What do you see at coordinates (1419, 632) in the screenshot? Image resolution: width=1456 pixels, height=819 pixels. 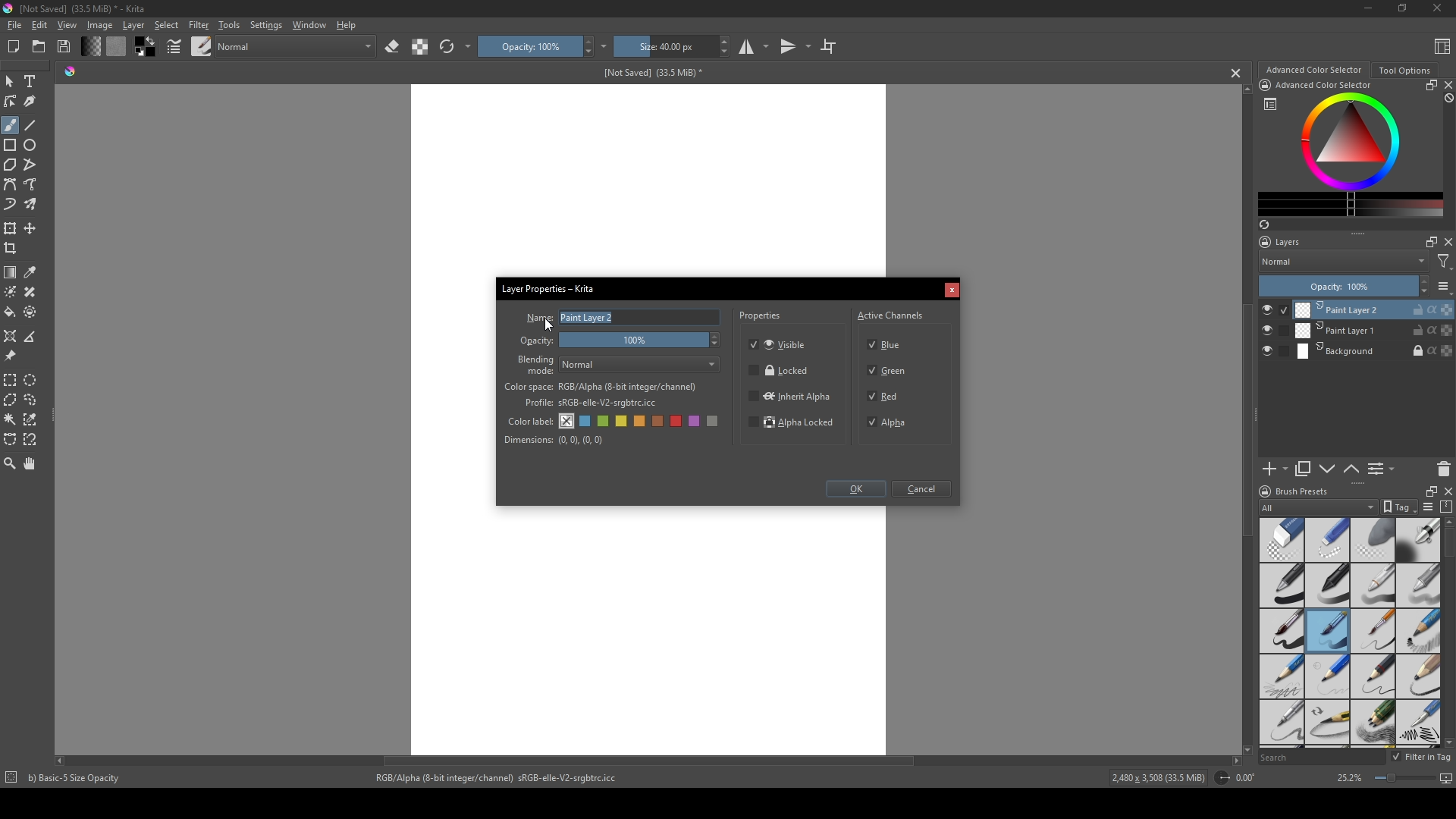 I see `pencil` at bounding box center [1419, 632].